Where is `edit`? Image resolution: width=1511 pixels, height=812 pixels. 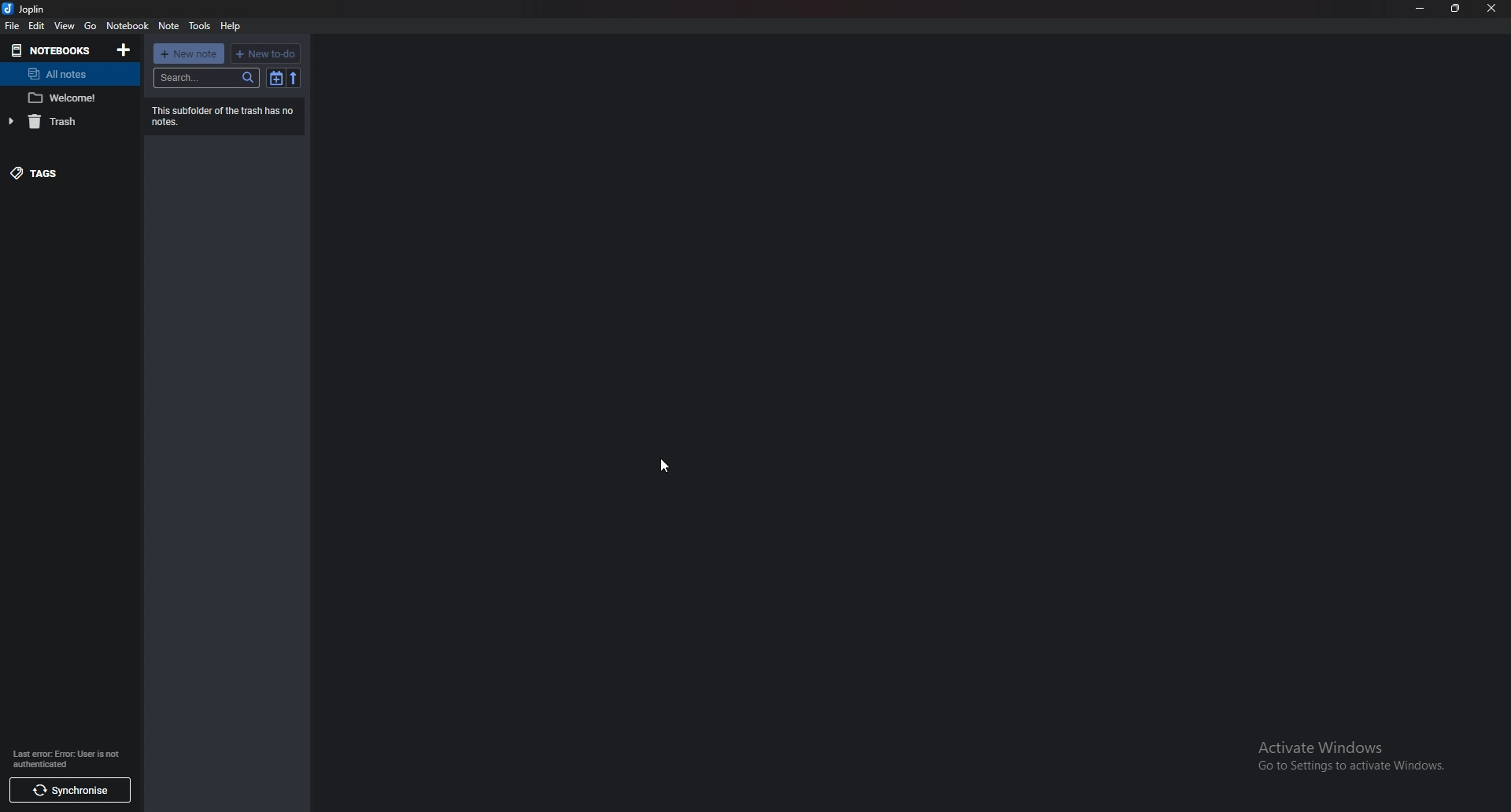
edit is located at coordinates (37, 25).